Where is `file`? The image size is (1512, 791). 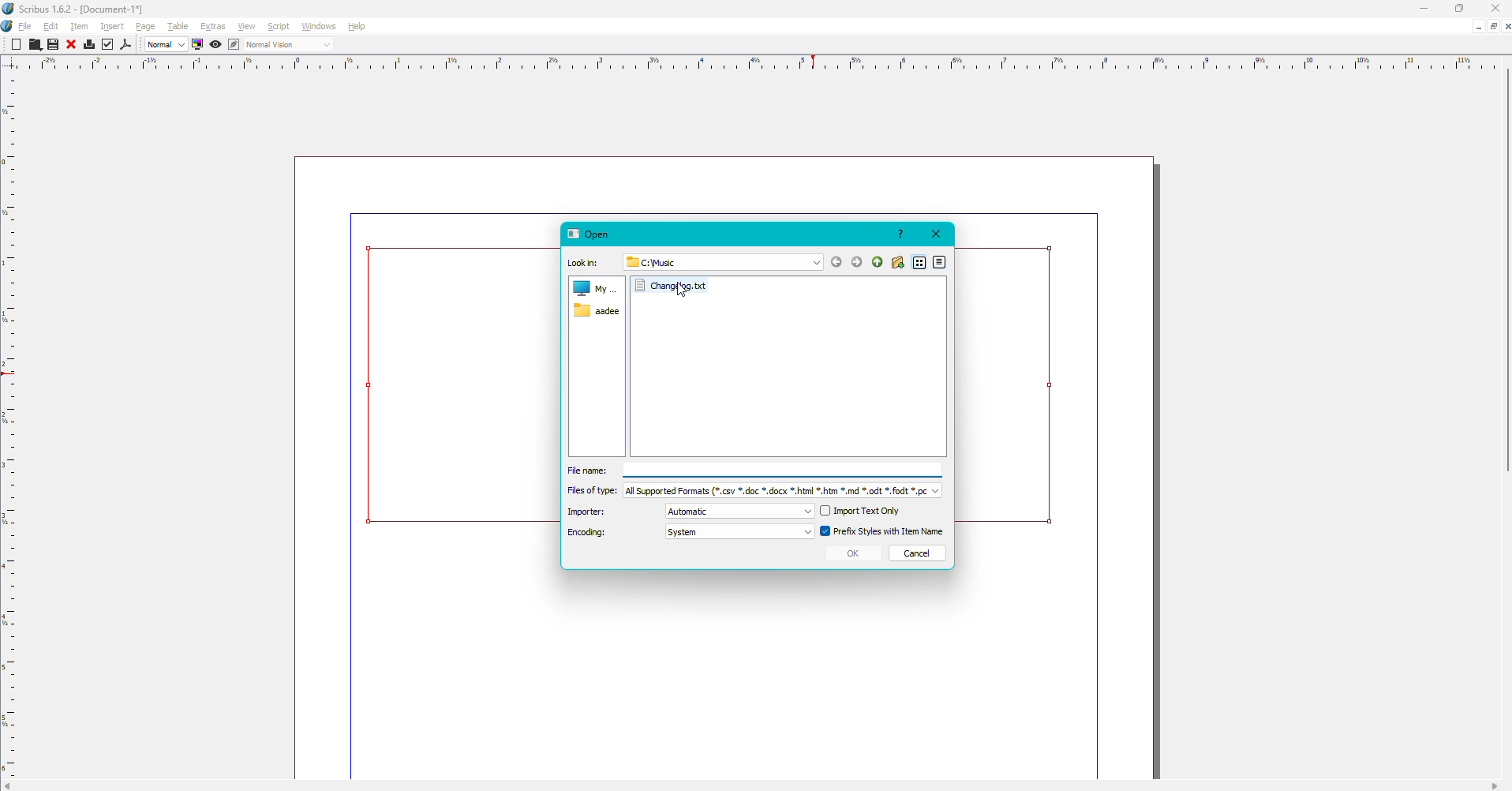
file is located at coordinates (677, 286).